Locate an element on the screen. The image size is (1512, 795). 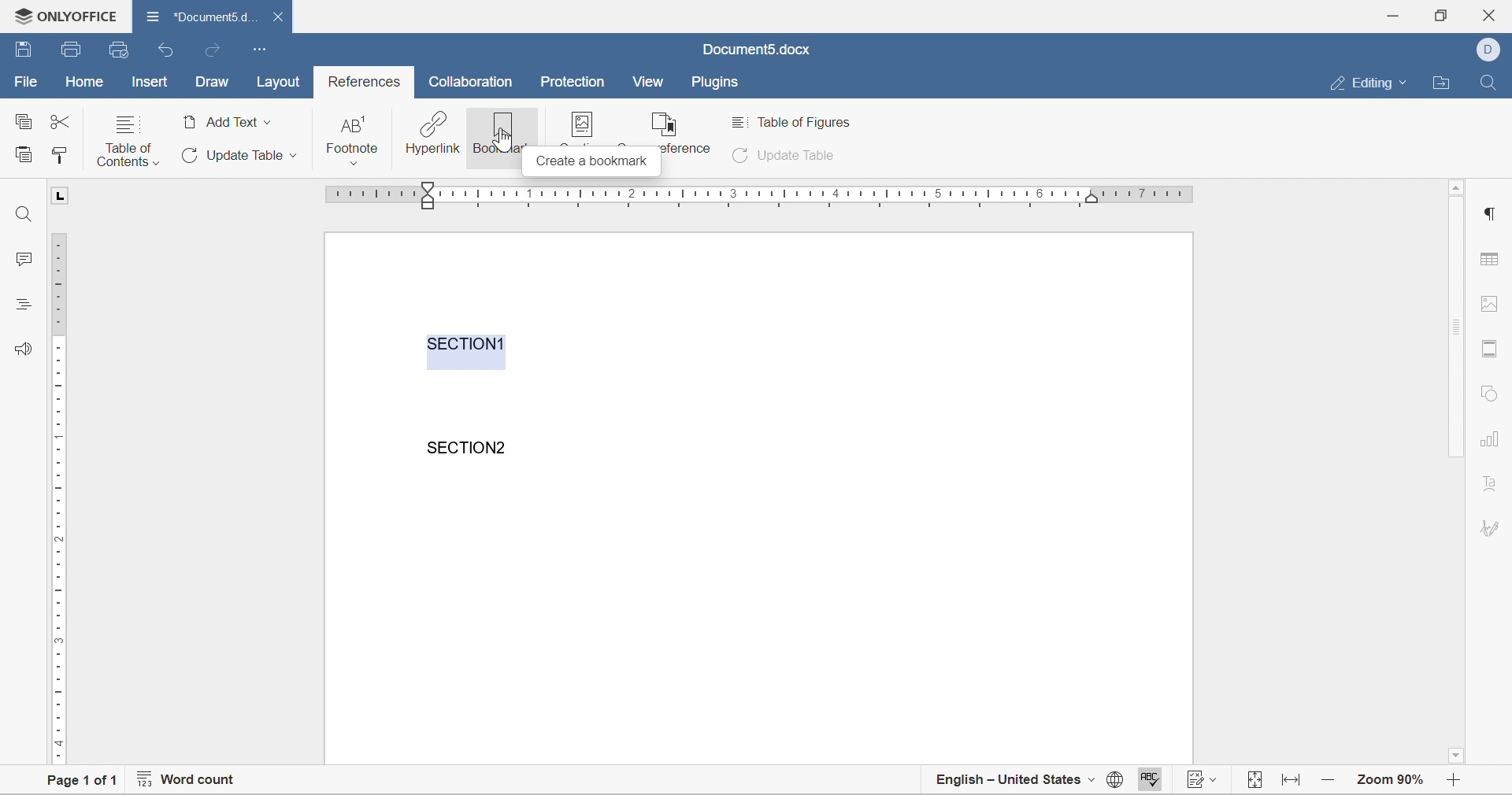
shape settings is located at coordinates (1488, 393).